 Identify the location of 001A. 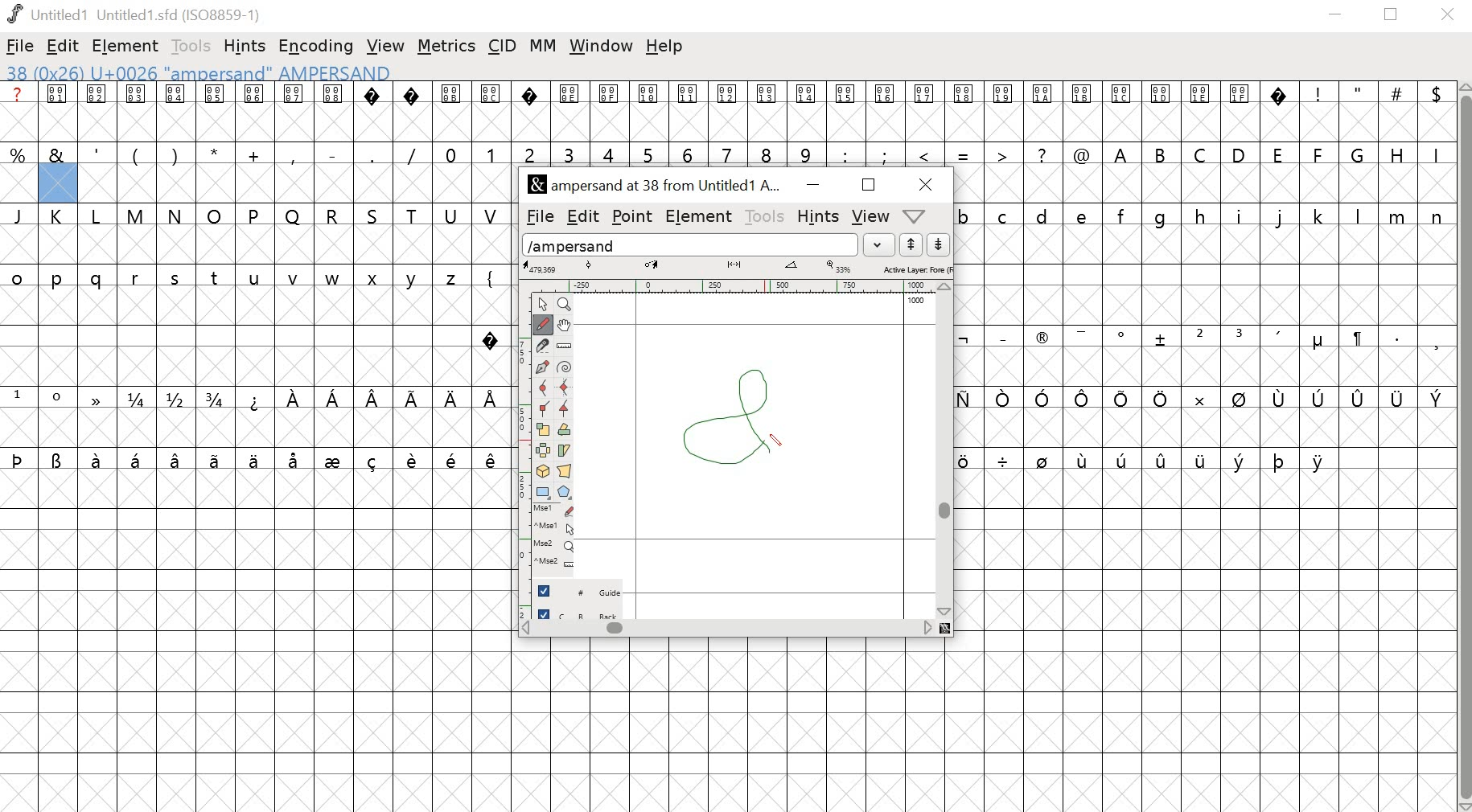
(1042, 113).